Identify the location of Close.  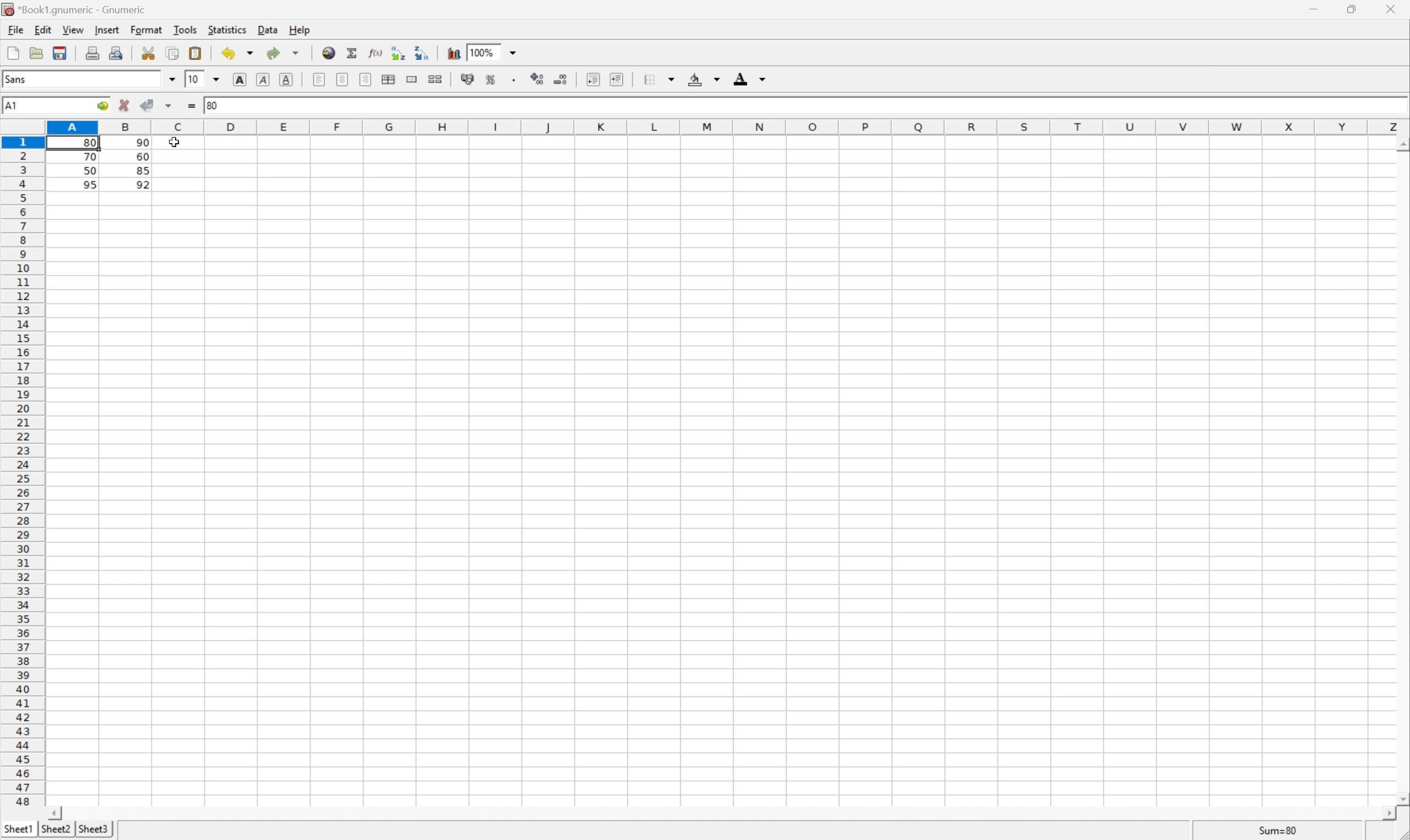
(1392, 8).